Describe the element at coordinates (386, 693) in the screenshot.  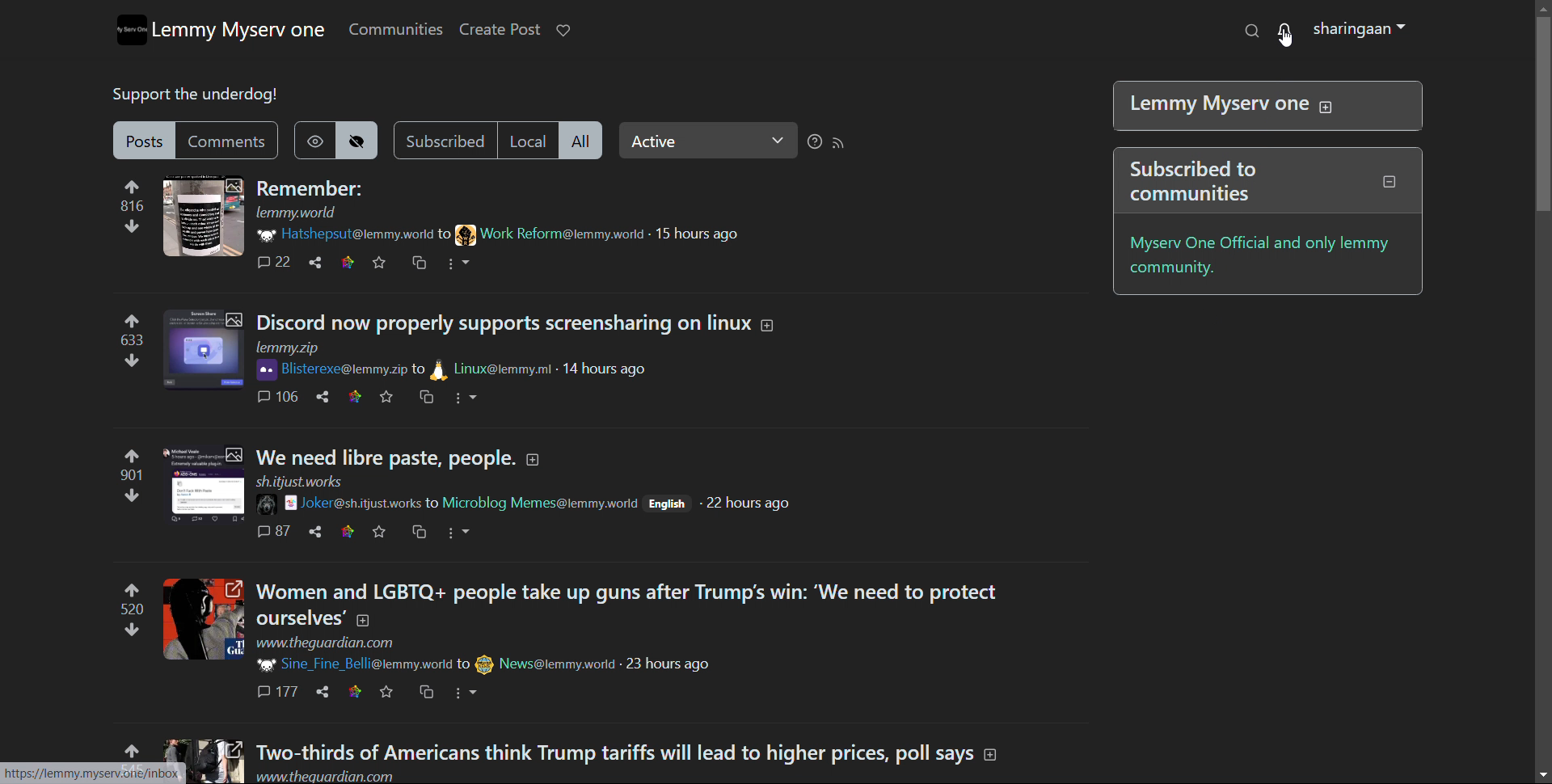
I see `favorites` at that location.